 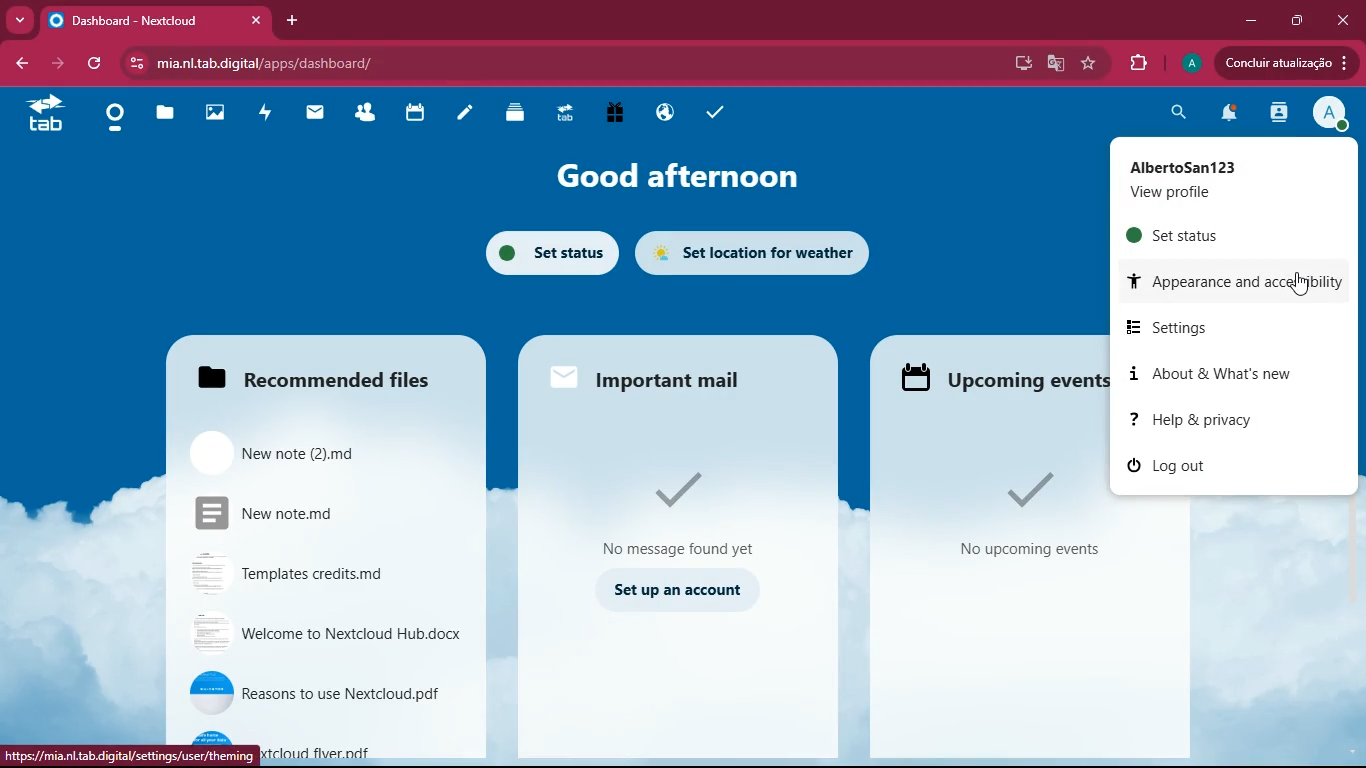 What do you see at coordinates (466, 115) in the screenshot?
I see `notes` at bounding box center [466, 115].